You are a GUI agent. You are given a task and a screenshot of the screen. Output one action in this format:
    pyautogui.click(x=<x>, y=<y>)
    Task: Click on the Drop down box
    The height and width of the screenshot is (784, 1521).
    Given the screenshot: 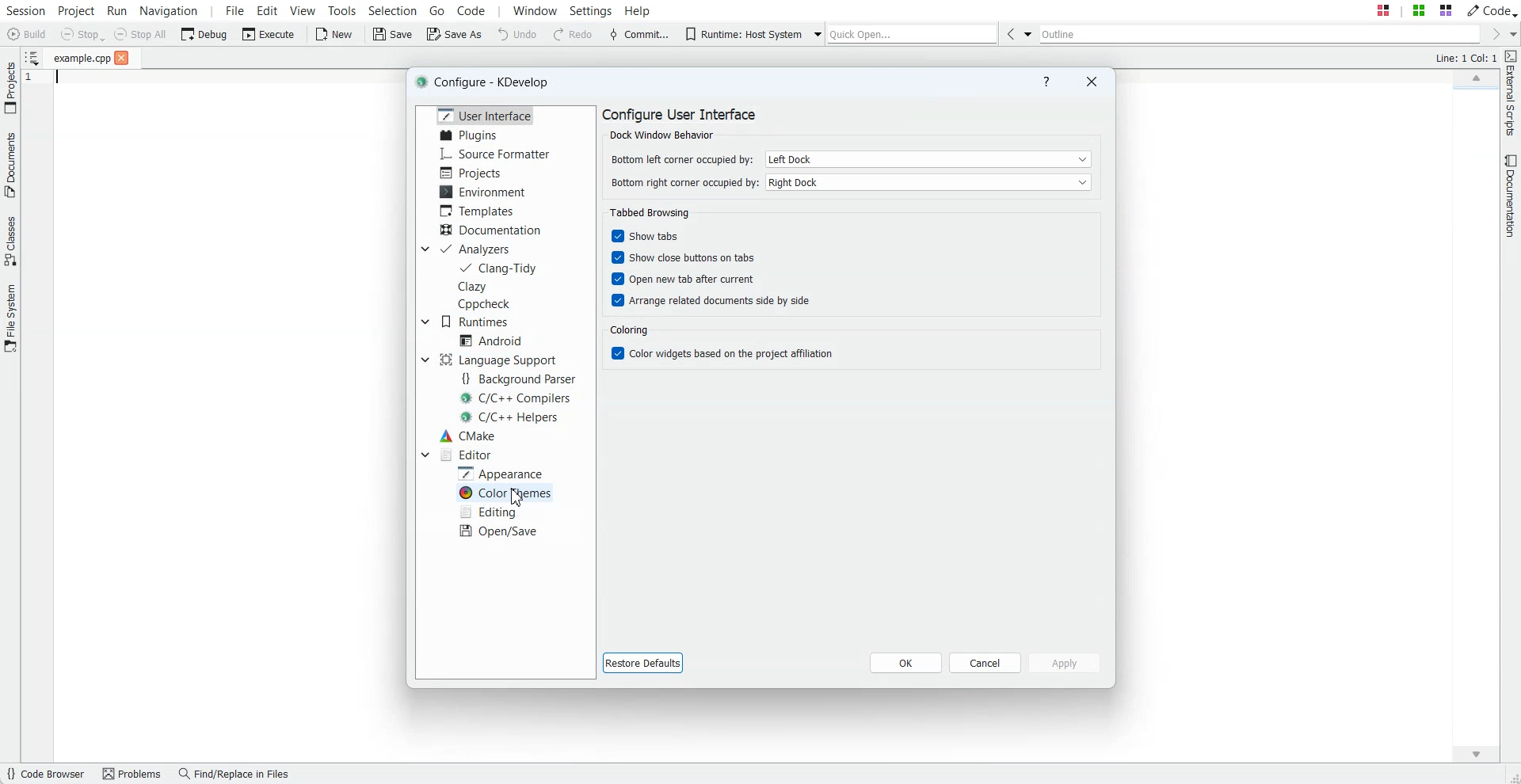 What is the action you would take?
    pyautogui.click(x=425, y=360)
    